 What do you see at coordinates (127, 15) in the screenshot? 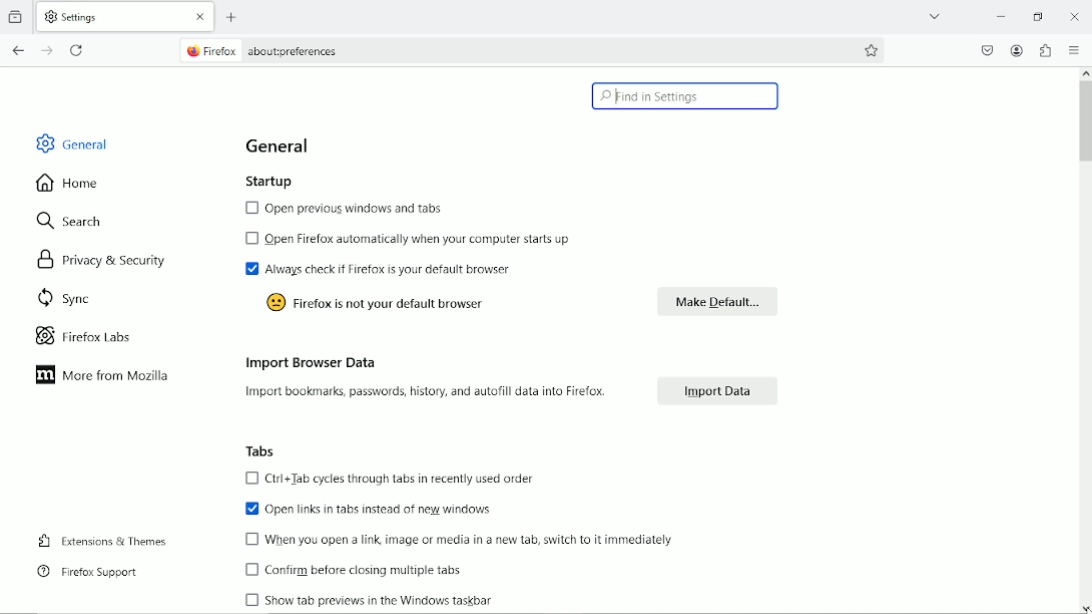
I see `settings tab` at bounding box center [127, 15].